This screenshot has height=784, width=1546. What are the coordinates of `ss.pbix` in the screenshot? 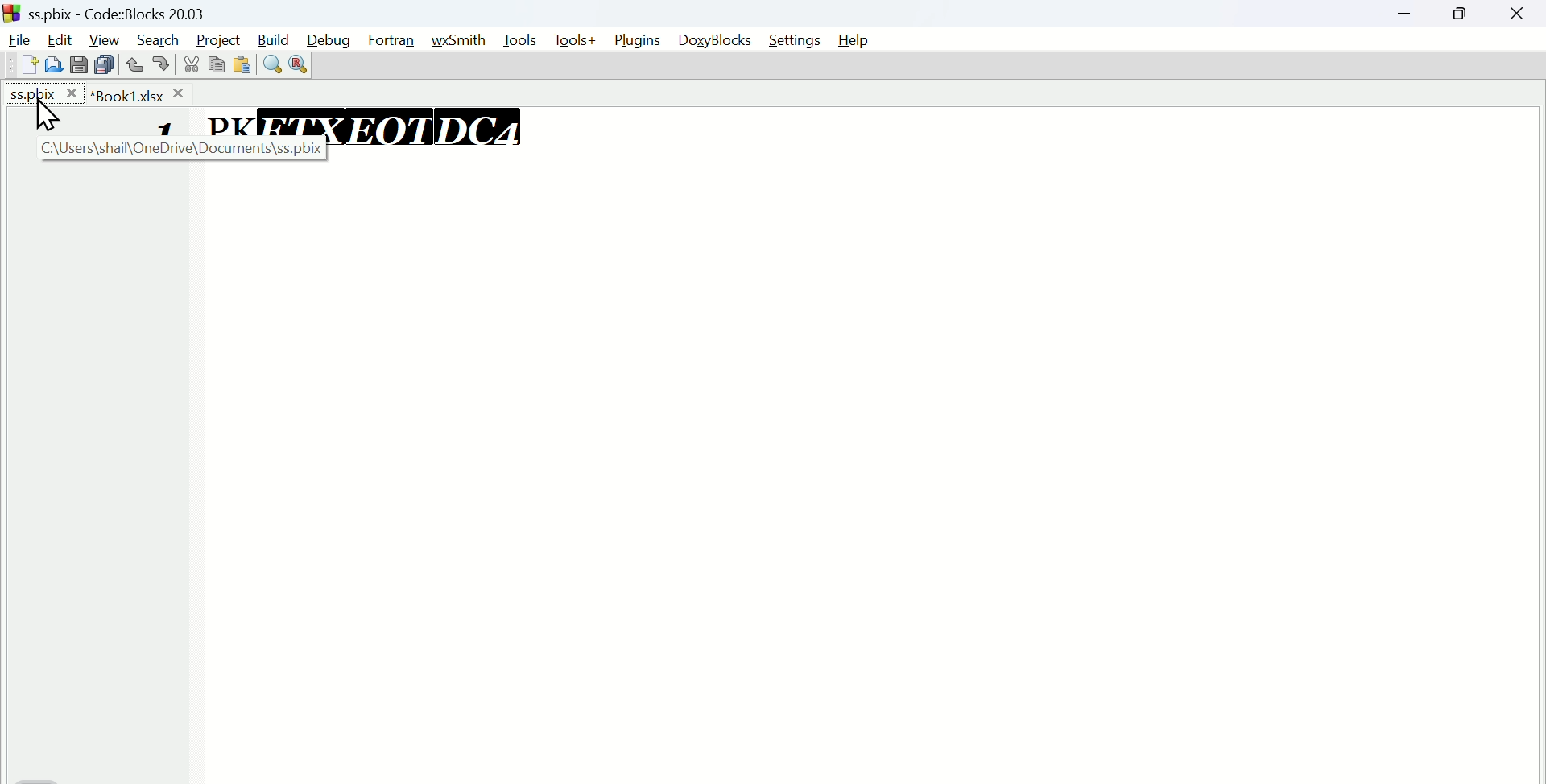 It's located at (44, 93).